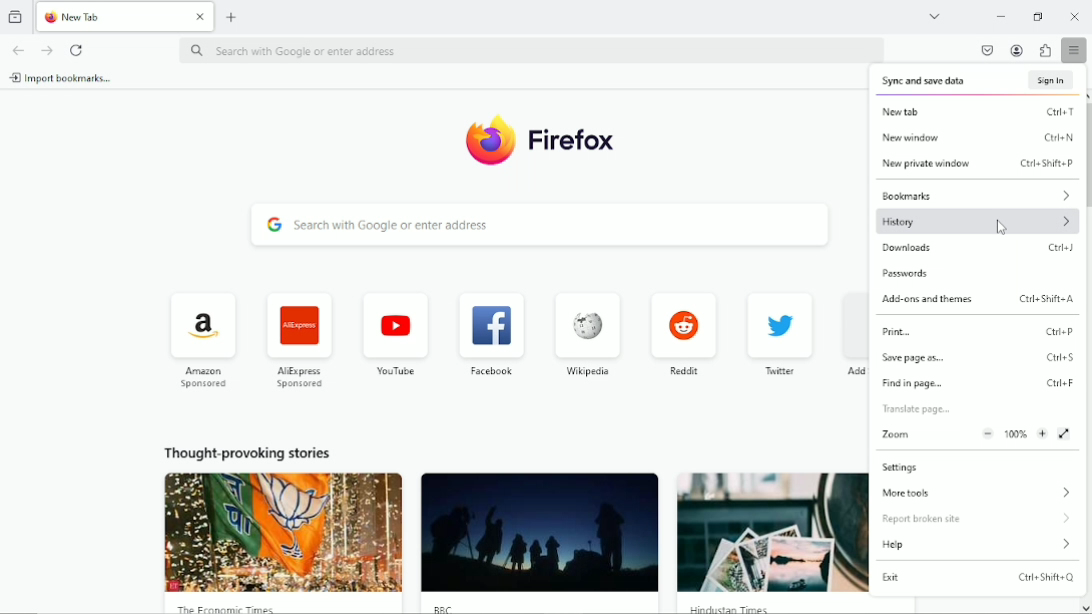  I want to click on extensions, so click(1045, 50).